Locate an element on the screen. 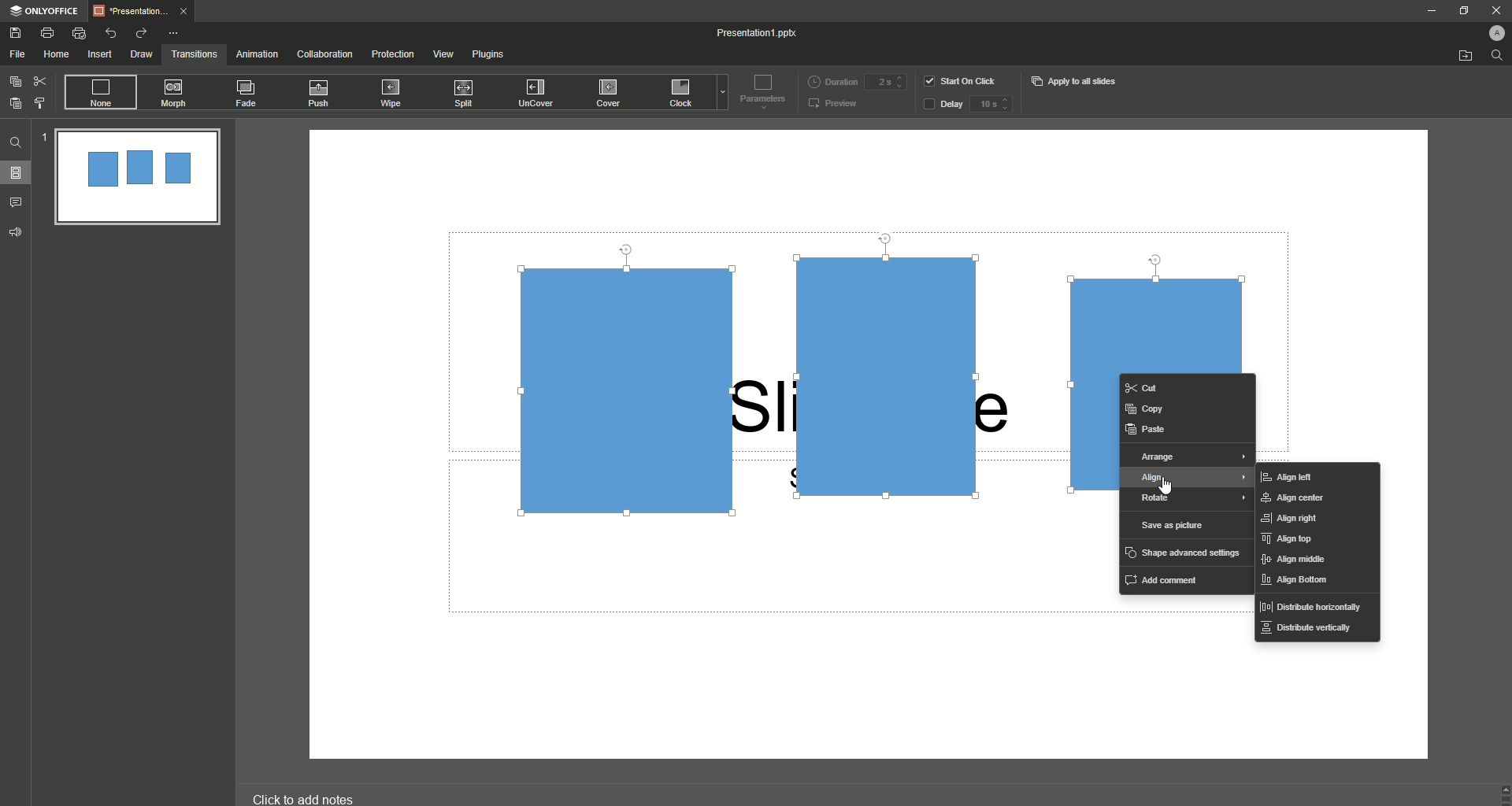 The width and height of the screenshot is (1512, 806). Start on click is located at coordinates (962, 80).